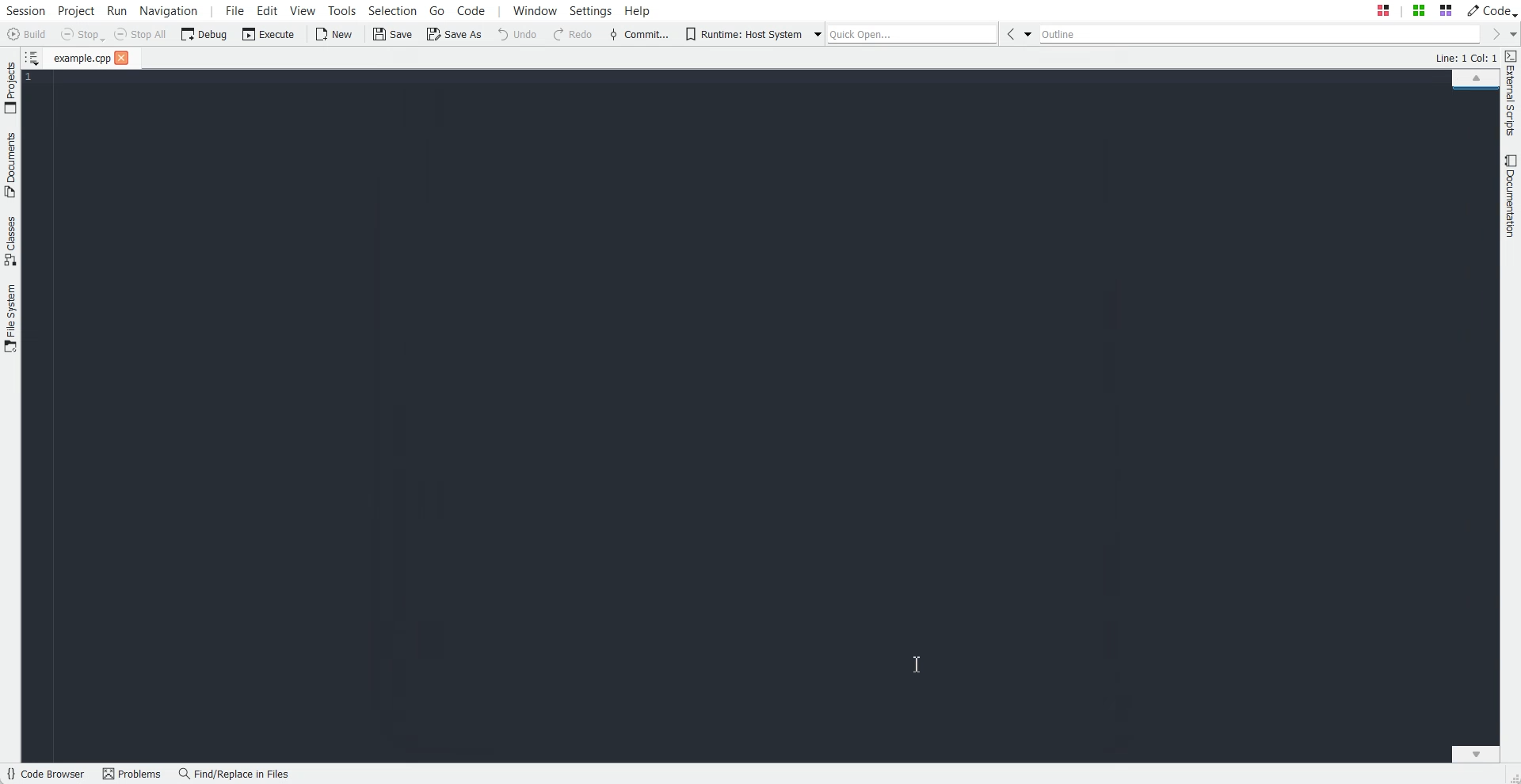  I want to click on Text Cursor, so click(51, 78).